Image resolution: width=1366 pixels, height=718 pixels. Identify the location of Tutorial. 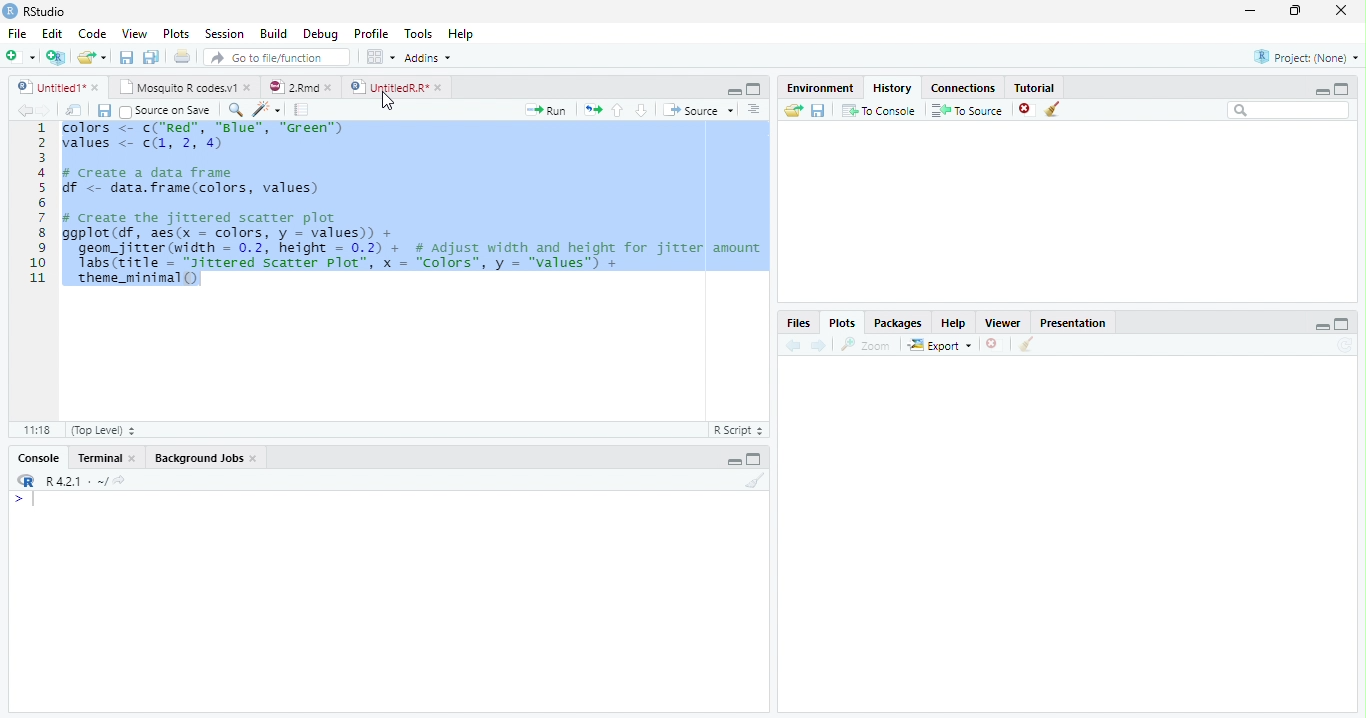
(1035, 87).